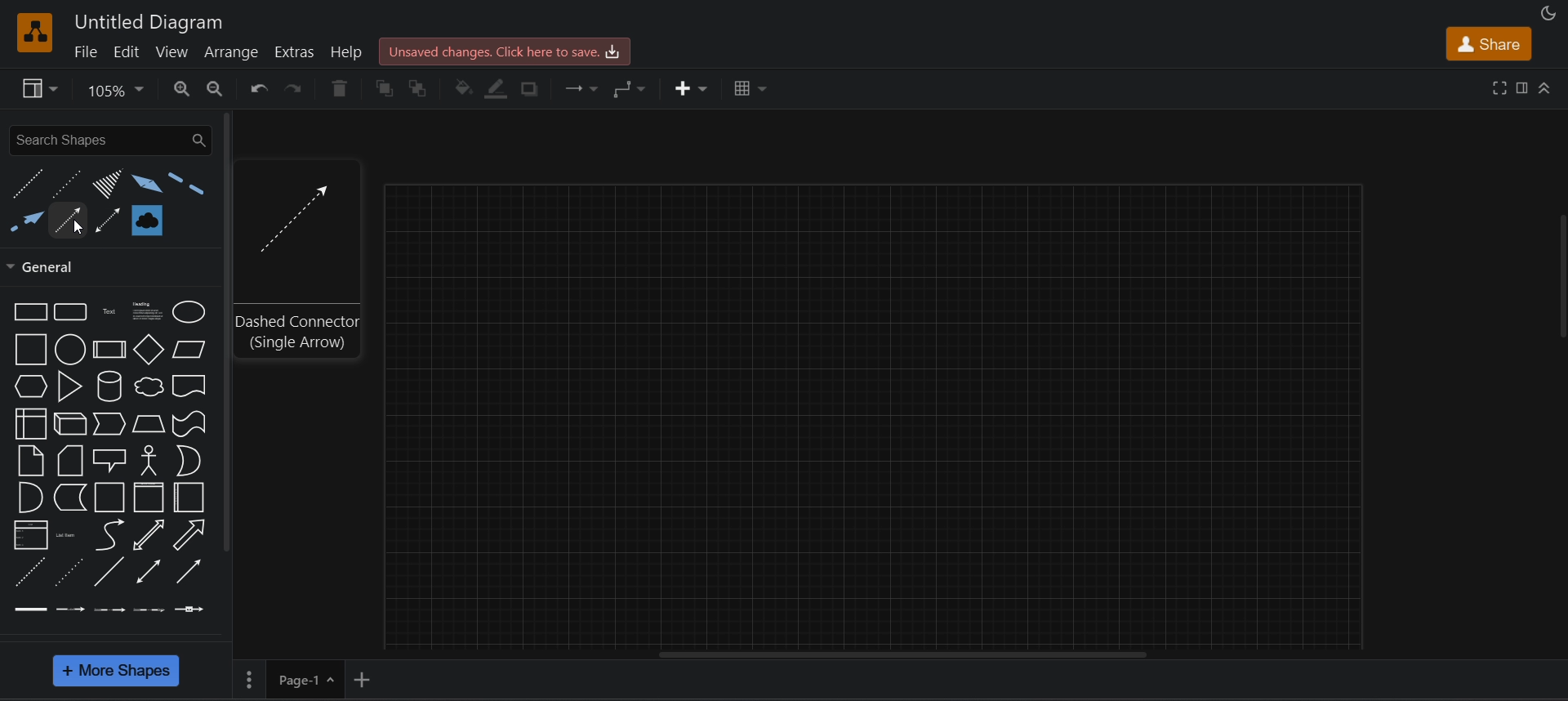 The width and height of the screenshot is (1568, 701). What do you see at coordinates (336, 86) in the screenshot?
I see `delete` at bounding box center [336, 86].